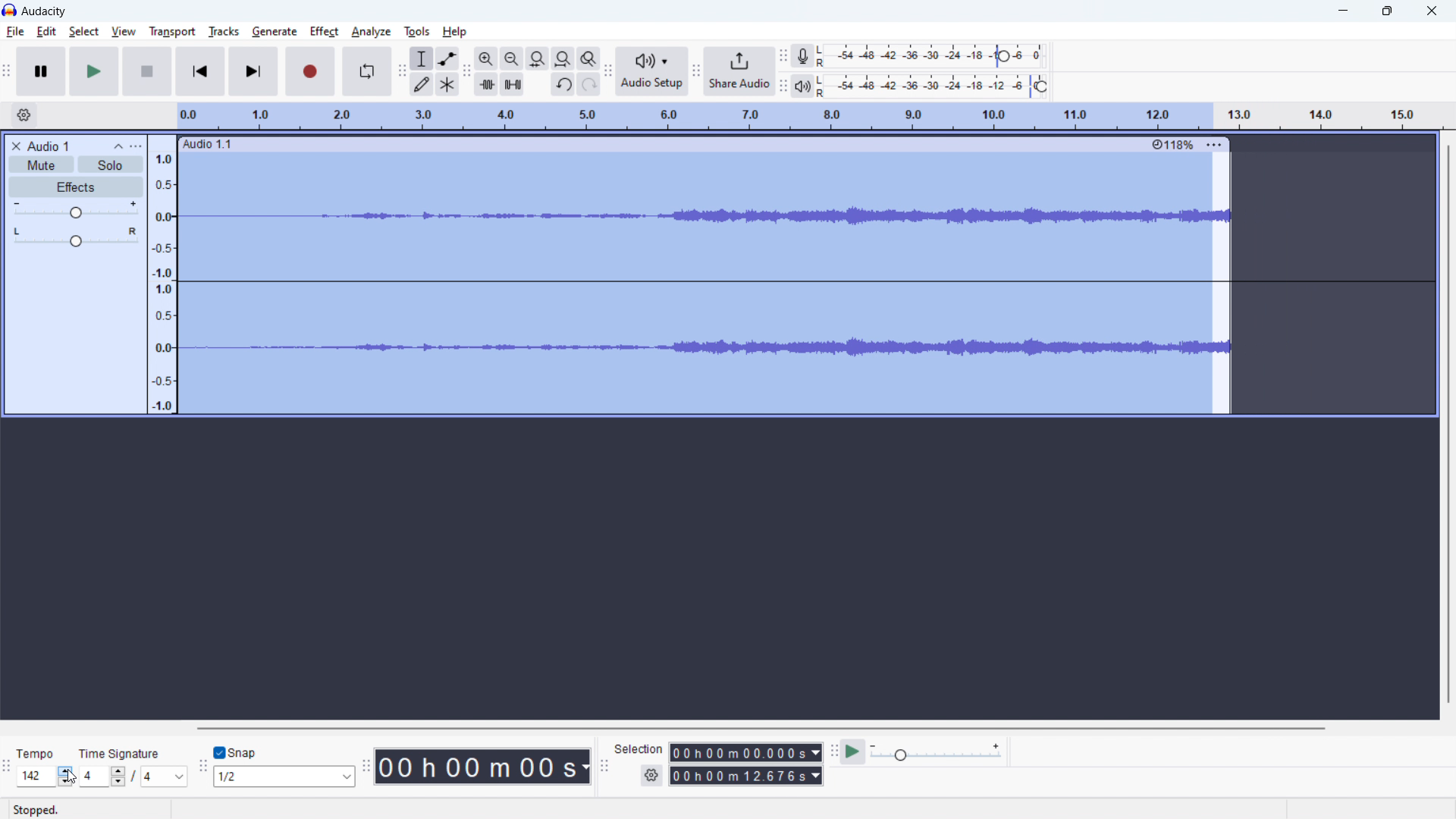 This screenshot has height=819, width=1456. I want to click on waveform, so click(803, 216).